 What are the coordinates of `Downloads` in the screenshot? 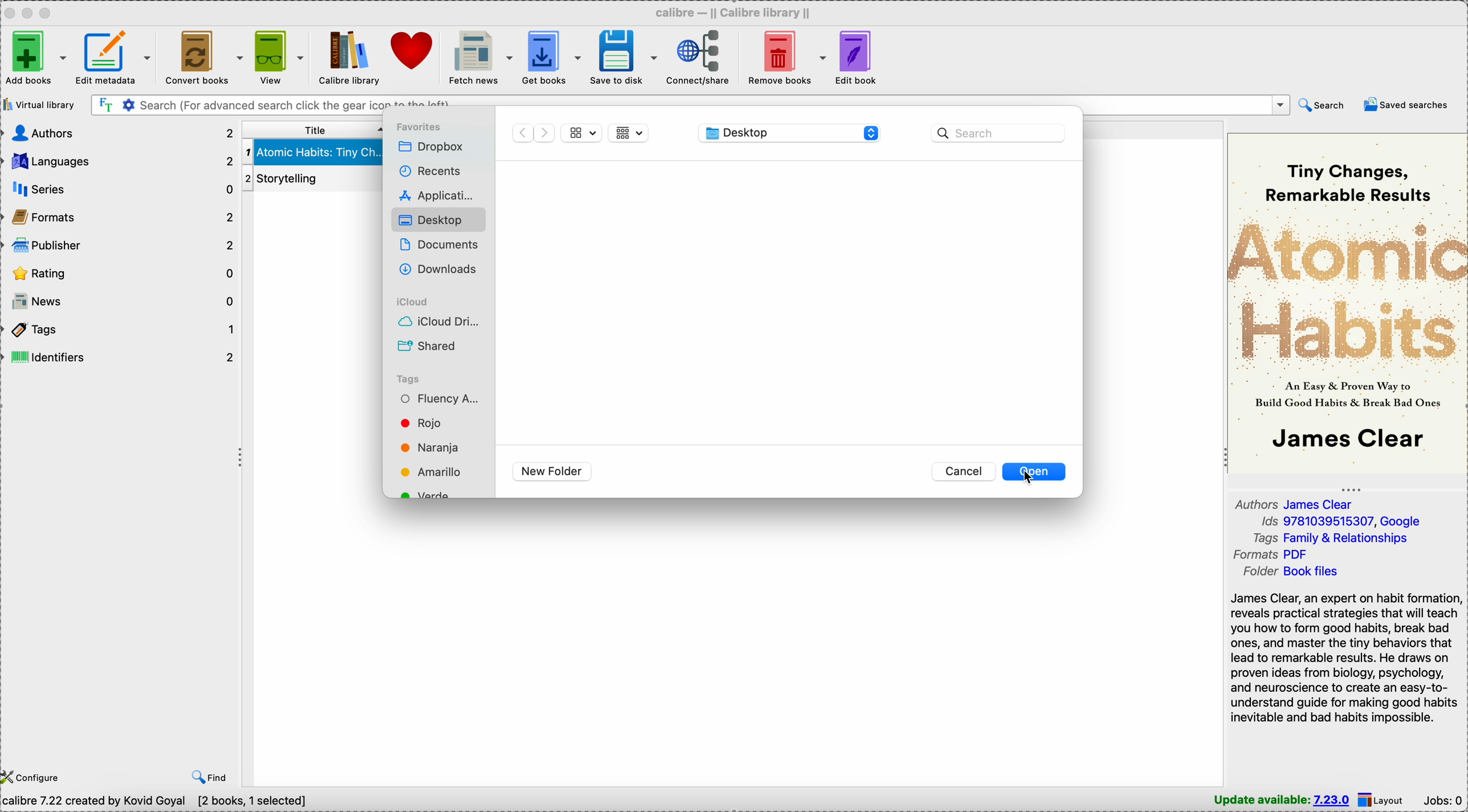 It's located at (439, 271).